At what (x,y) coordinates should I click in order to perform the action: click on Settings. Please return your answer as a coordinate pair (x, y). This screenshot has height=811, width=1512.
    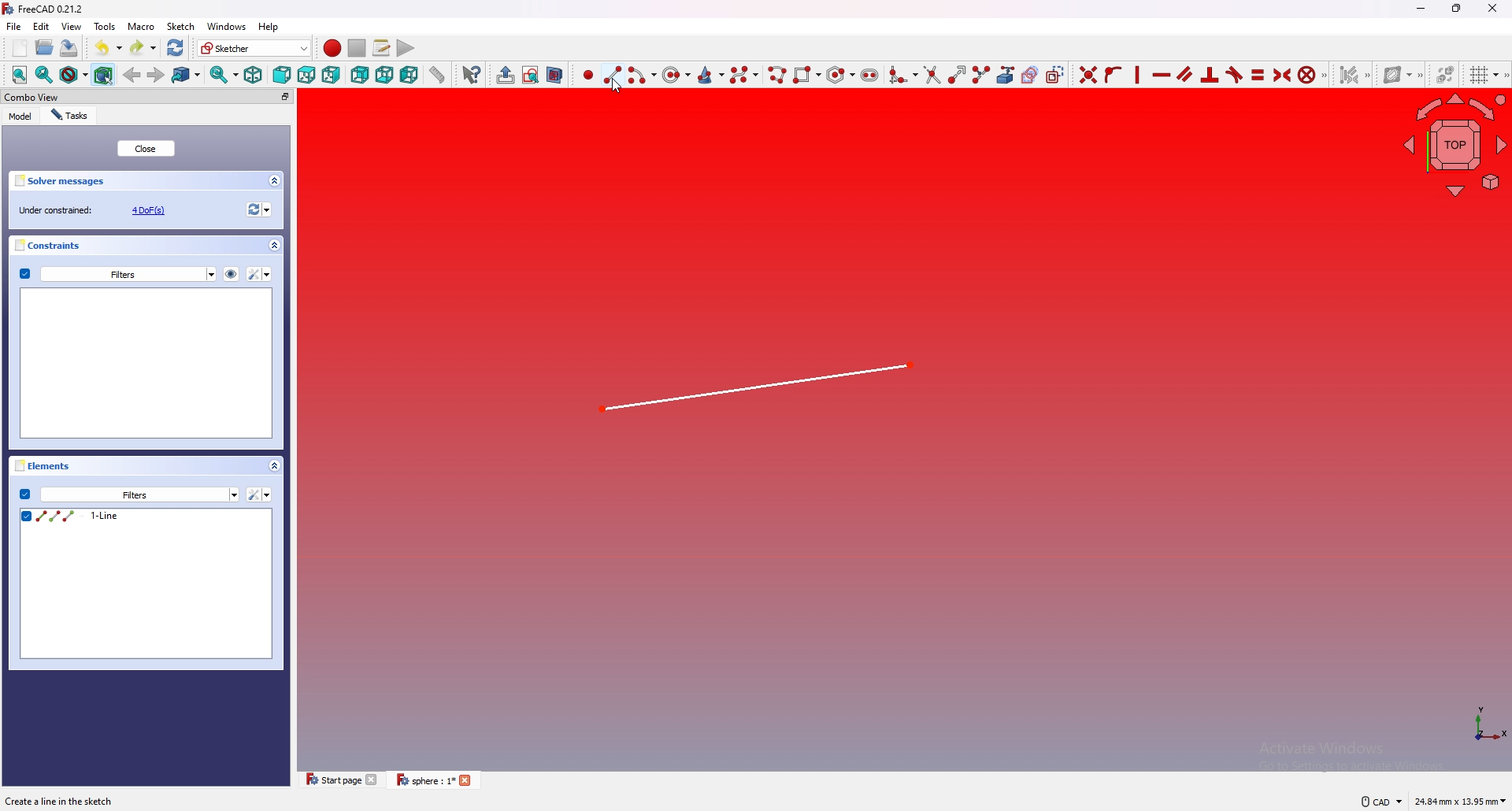
    Looking at the image, I should click on (140, 495).